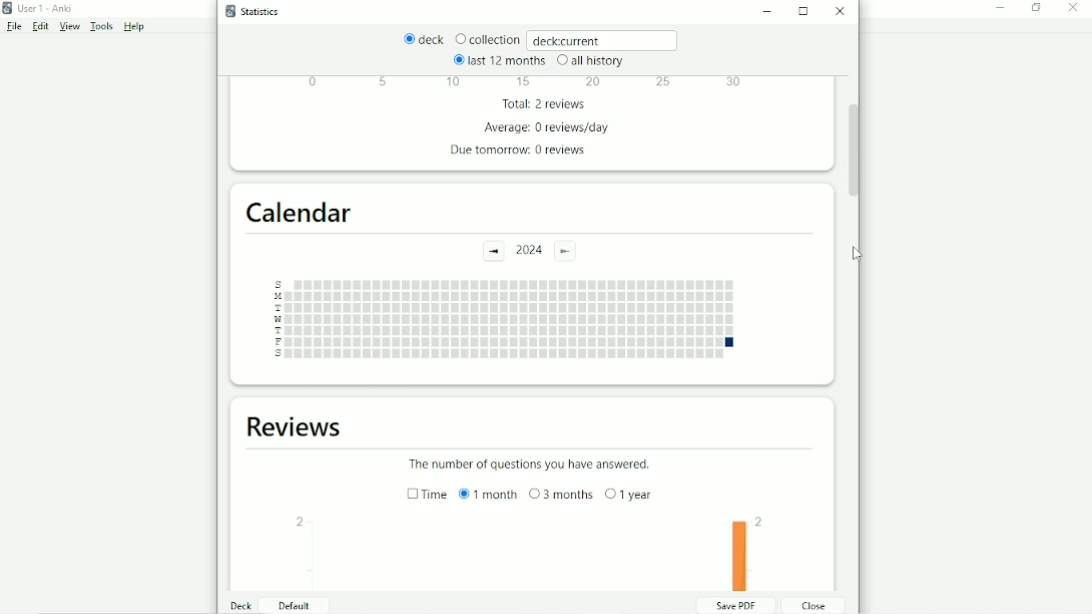 This screenshot has width=1092, height=614. I want to click on Close, so click(811, 605).